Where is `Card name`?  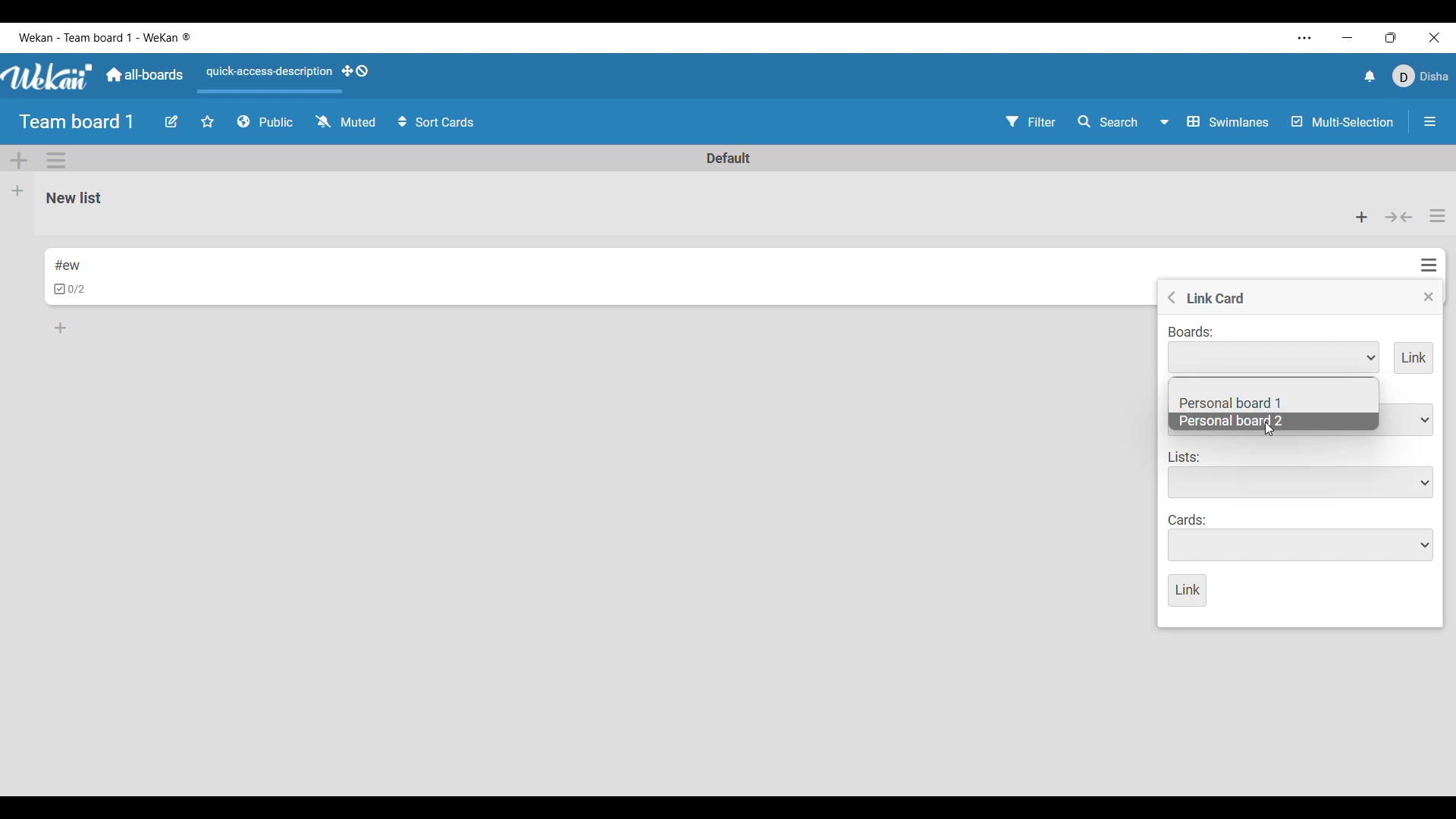
Card name is located at coordinates (67, 265).